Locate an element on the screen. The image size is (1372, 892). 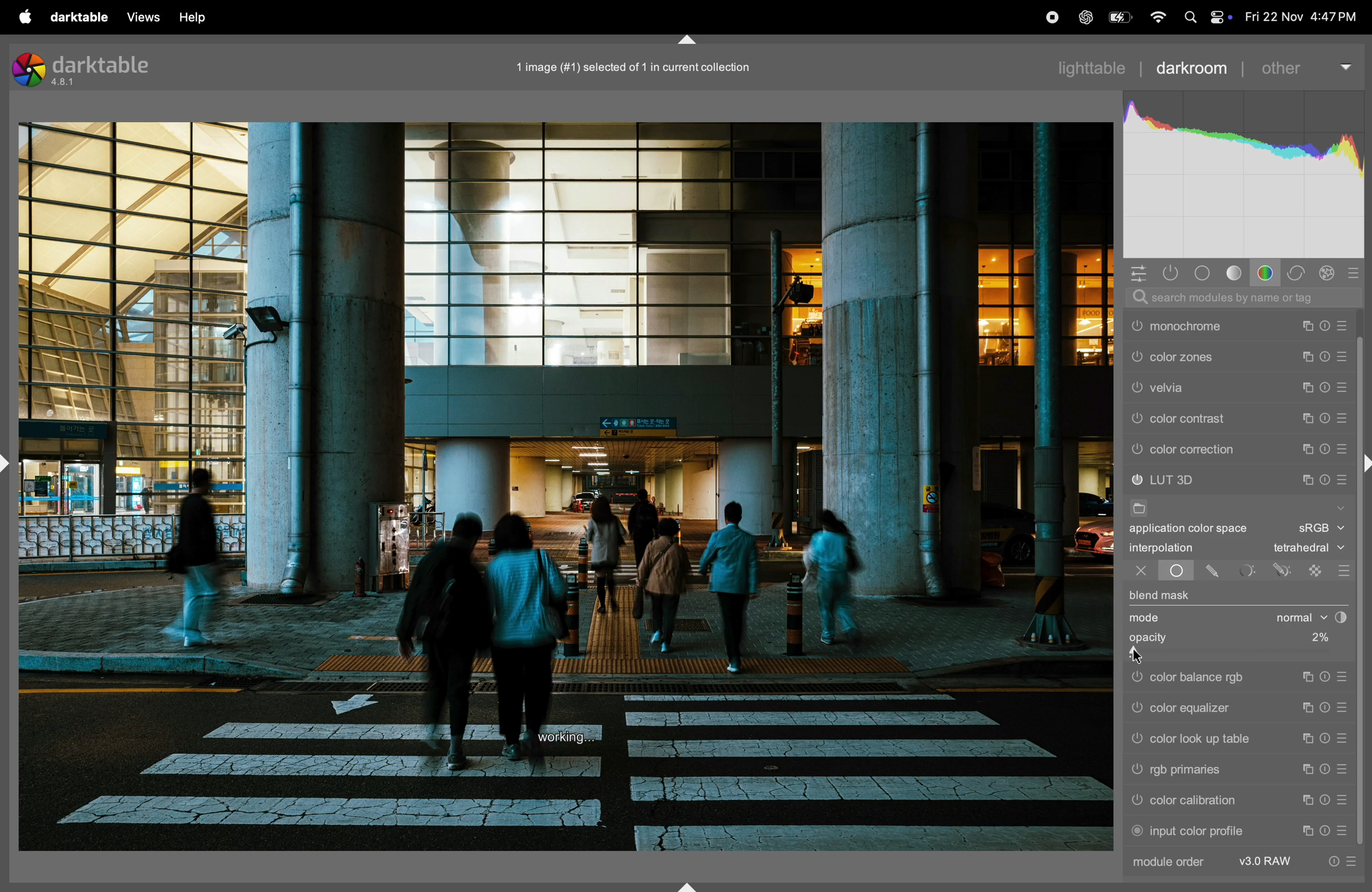
shift+ctrl+b is located at coordinates (685, 885).